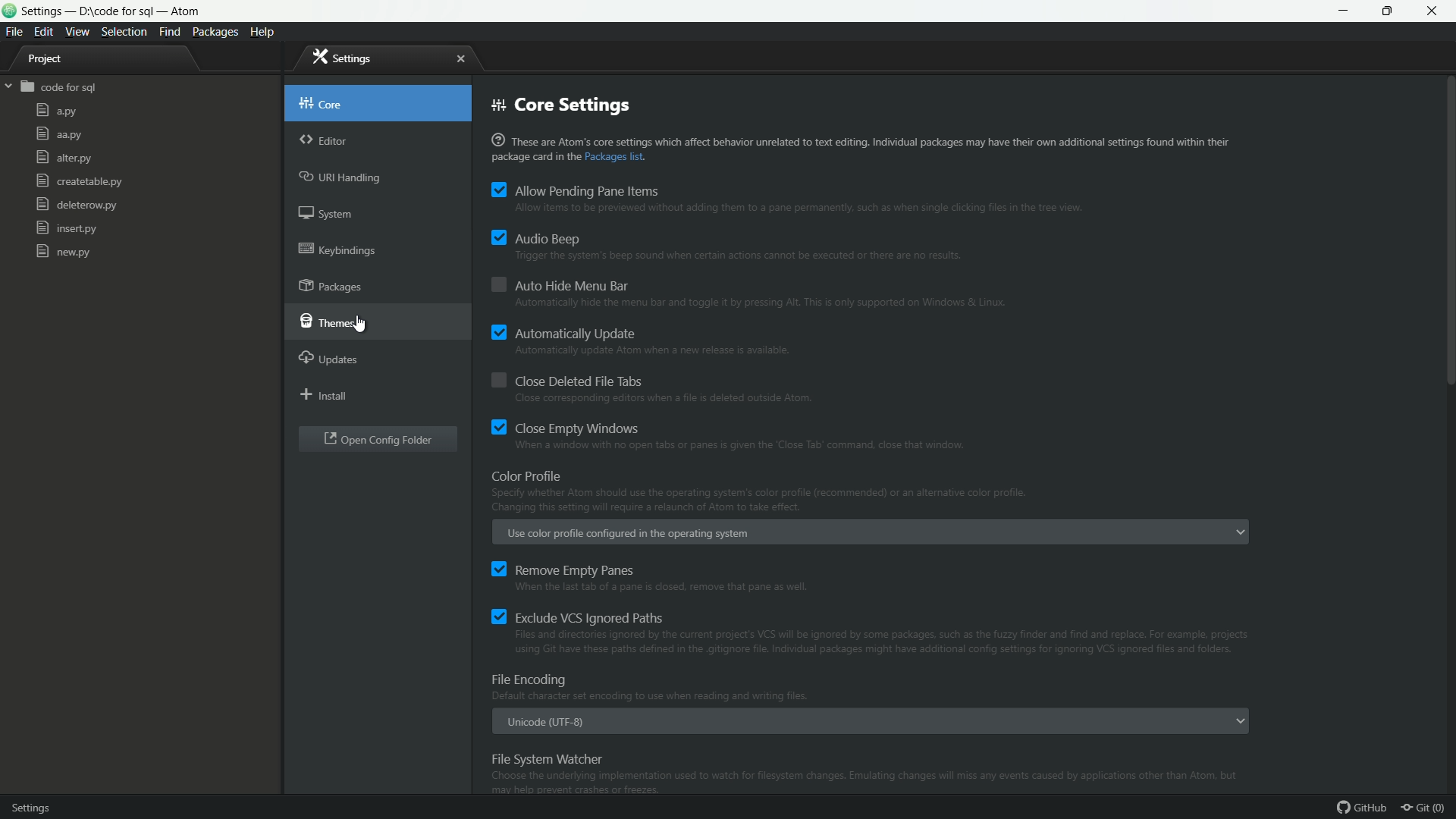  Describe the element at coordinates (56, 111) in the screenshot. I see `a.py file` at that location.